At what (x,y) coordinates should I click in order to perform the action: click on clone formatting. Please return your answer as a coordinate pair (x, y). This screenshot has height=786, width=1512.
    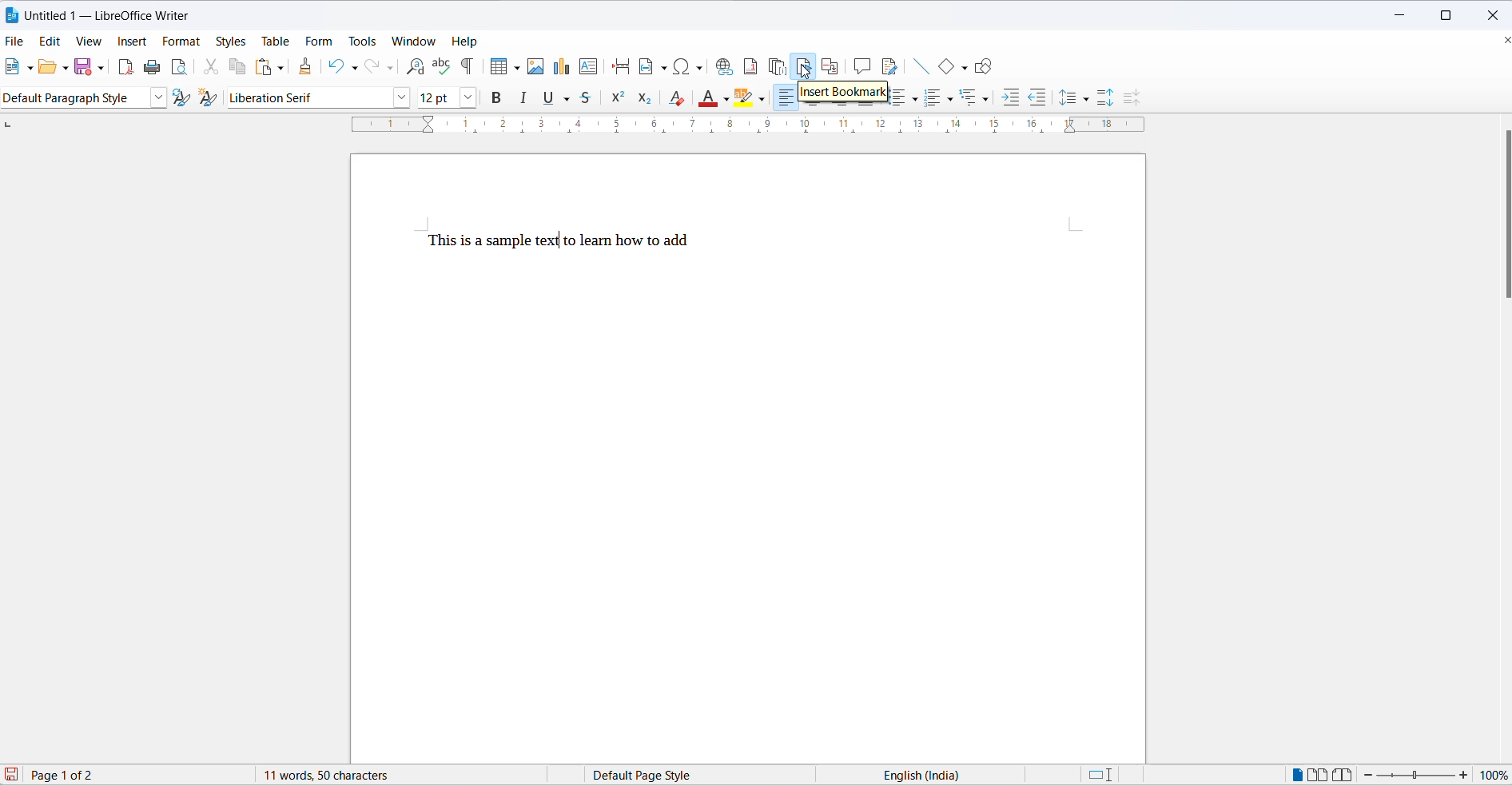
    Looking at the image, I should click on (307, 63).